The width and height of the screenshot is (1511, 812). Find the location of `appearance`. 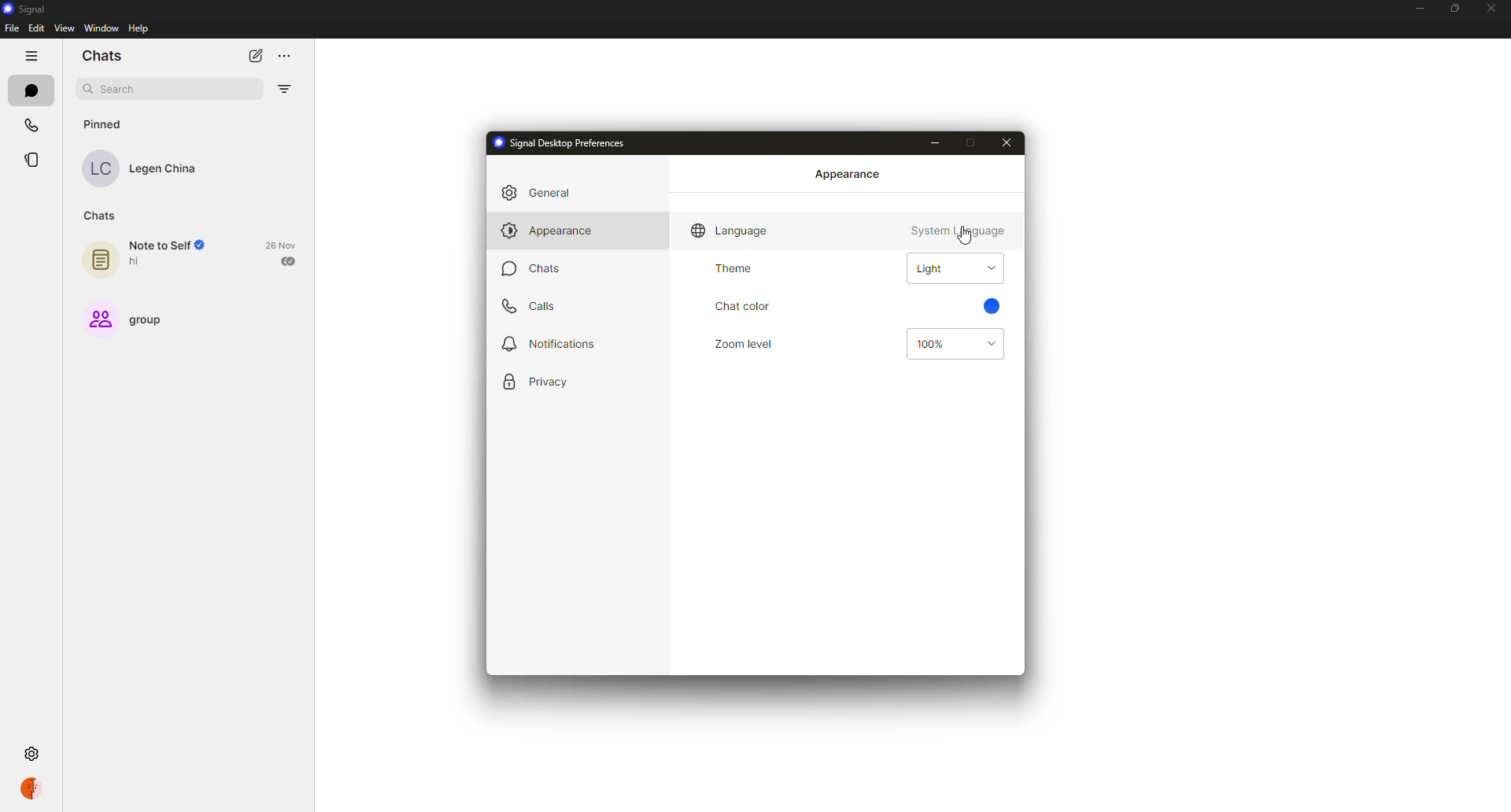

appearance is located at coordinates (848, 174).